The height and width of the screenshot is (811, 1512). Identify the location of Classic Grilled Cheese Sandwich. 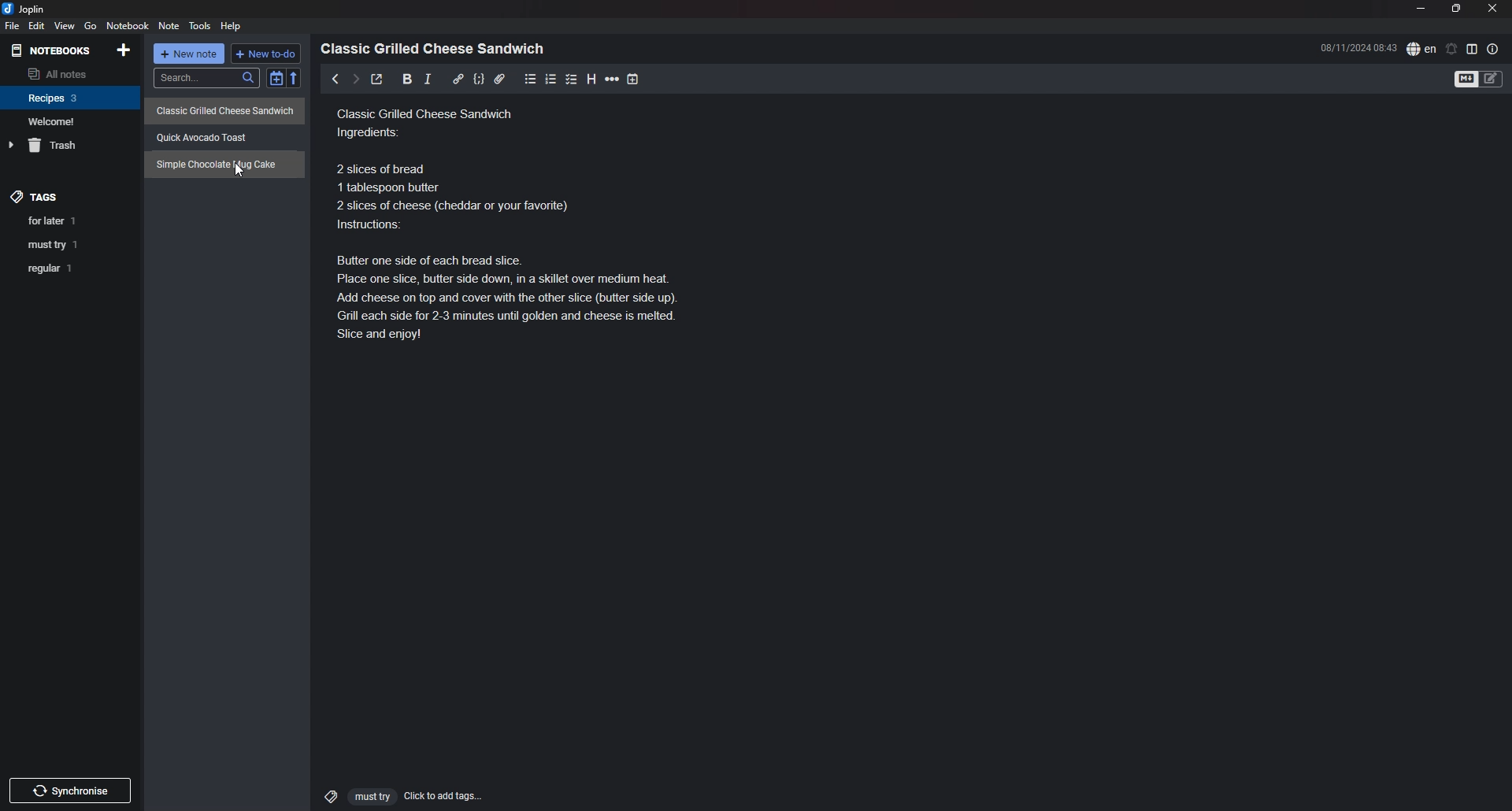
(226, 109).